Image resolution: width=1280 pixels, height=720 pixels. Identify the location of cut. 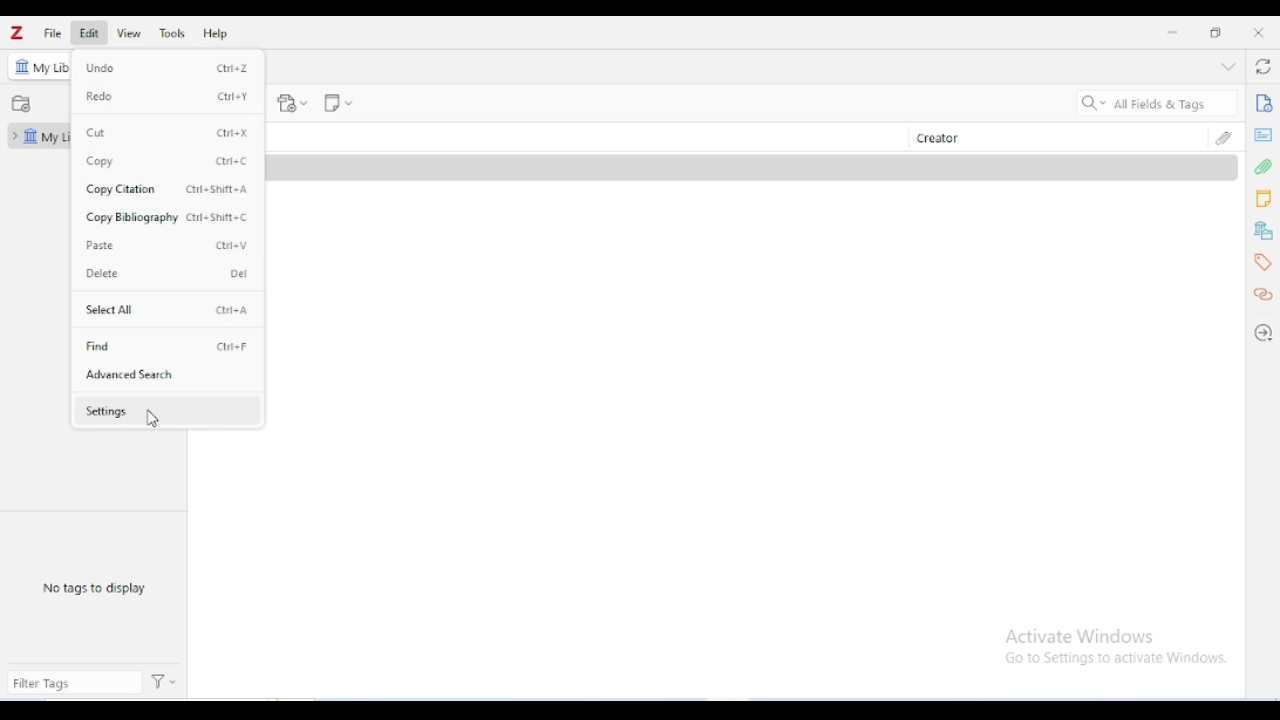
(96, 133).